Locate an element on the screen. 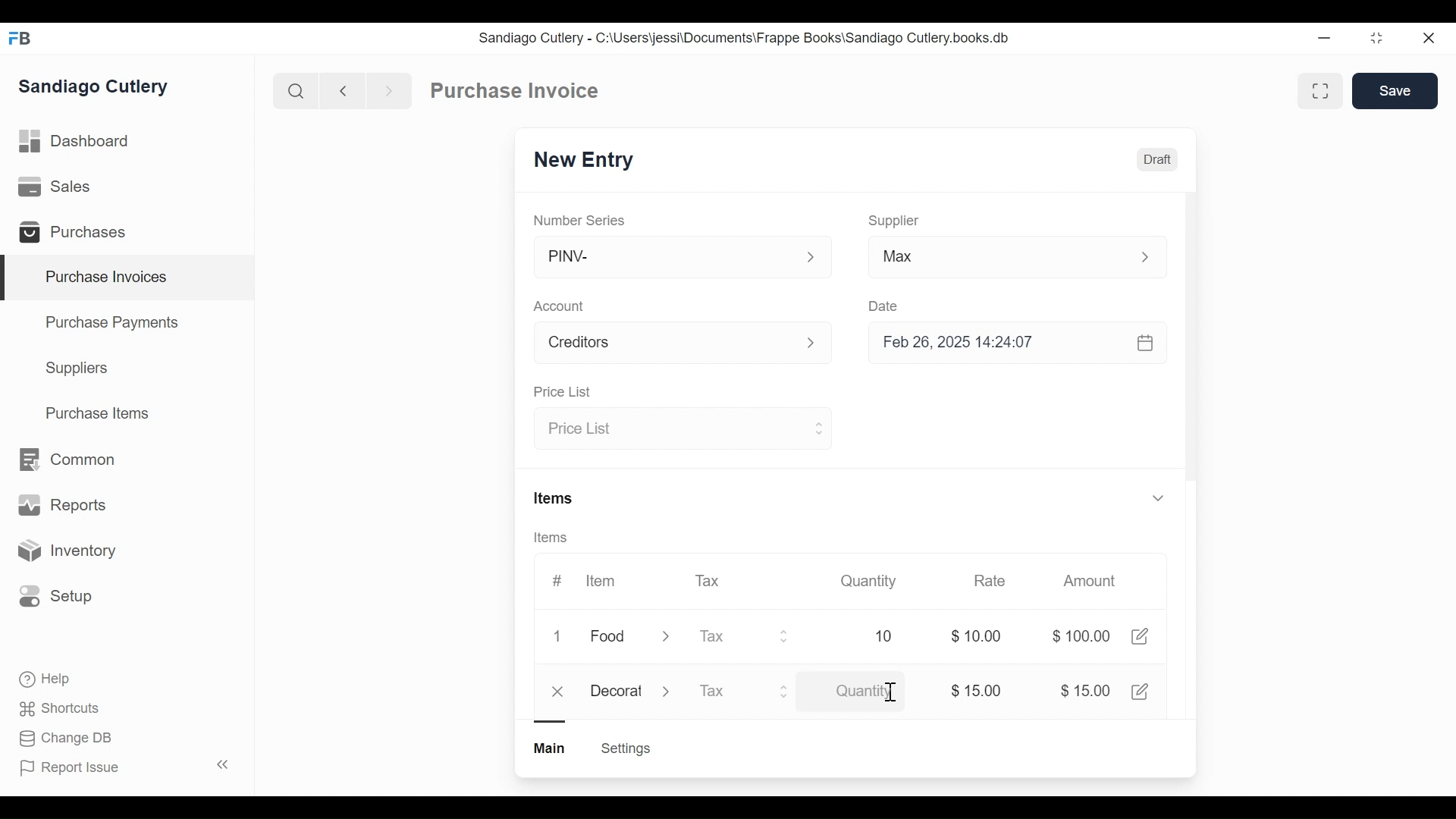 This screenshot has height=819, width=1456. $15.00 is located at coordinates (1085, 690).